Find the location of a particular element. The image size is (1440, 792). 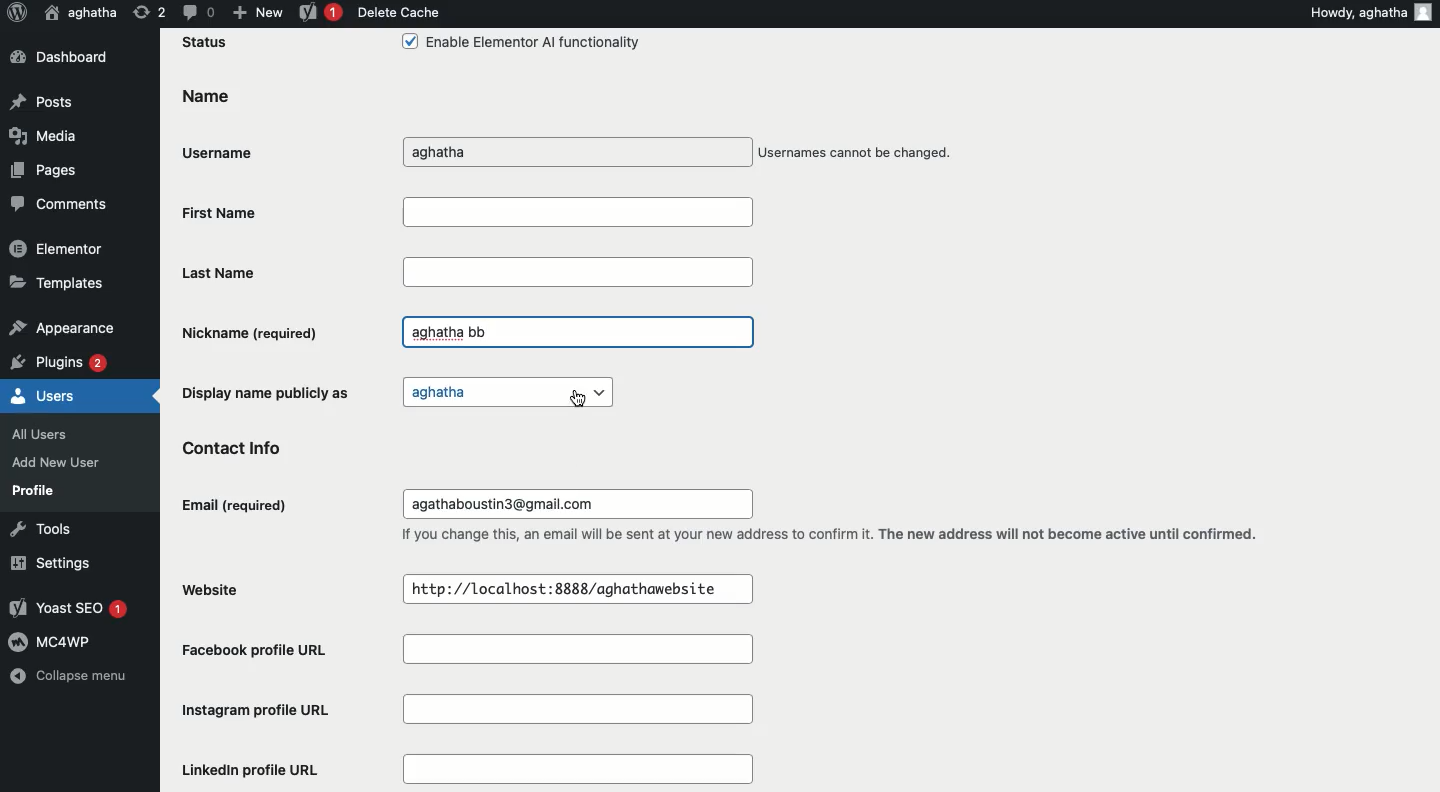

http://localhost:8888/aghathawebsite is located at coordinates (567, 588).